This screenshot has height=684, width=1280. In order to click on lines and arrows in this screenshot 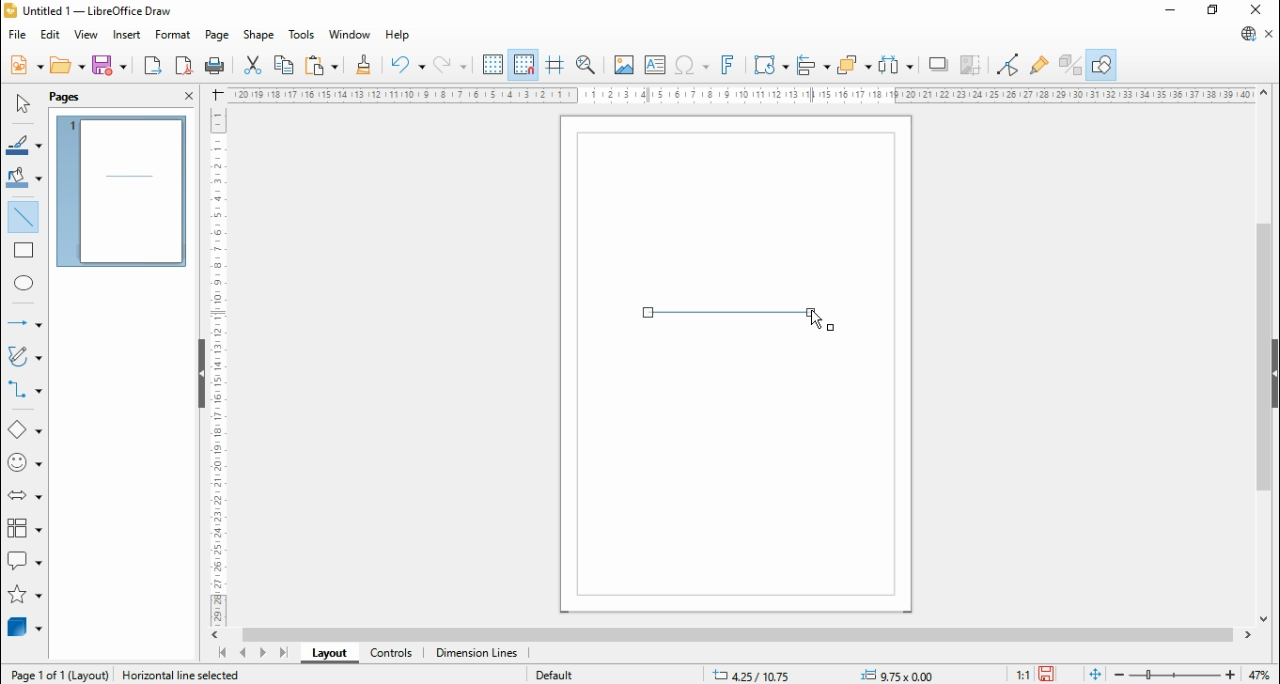, I will do `click(22, 323)`.